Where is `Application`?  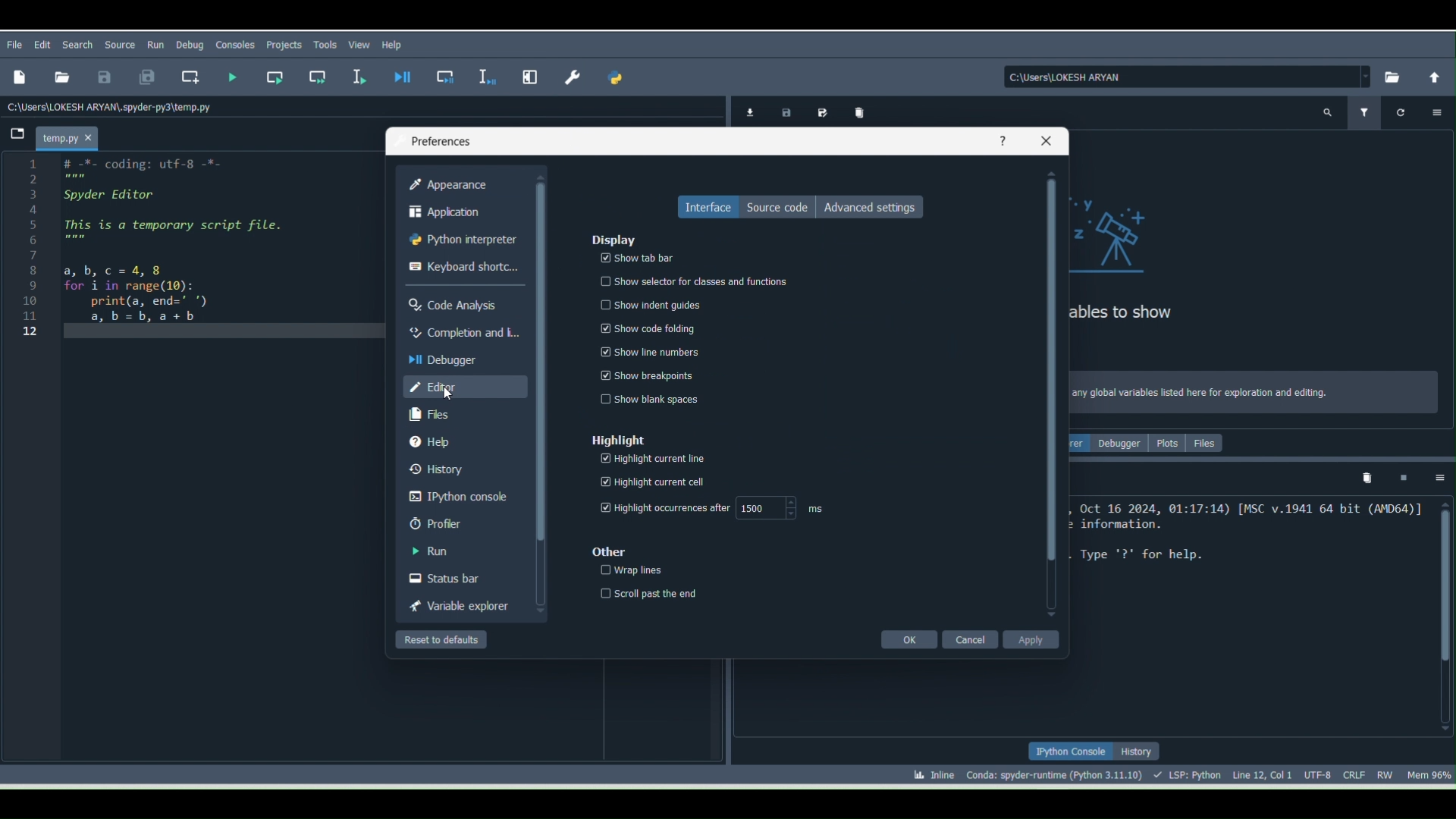
Application is located at coordinates (457, 214).